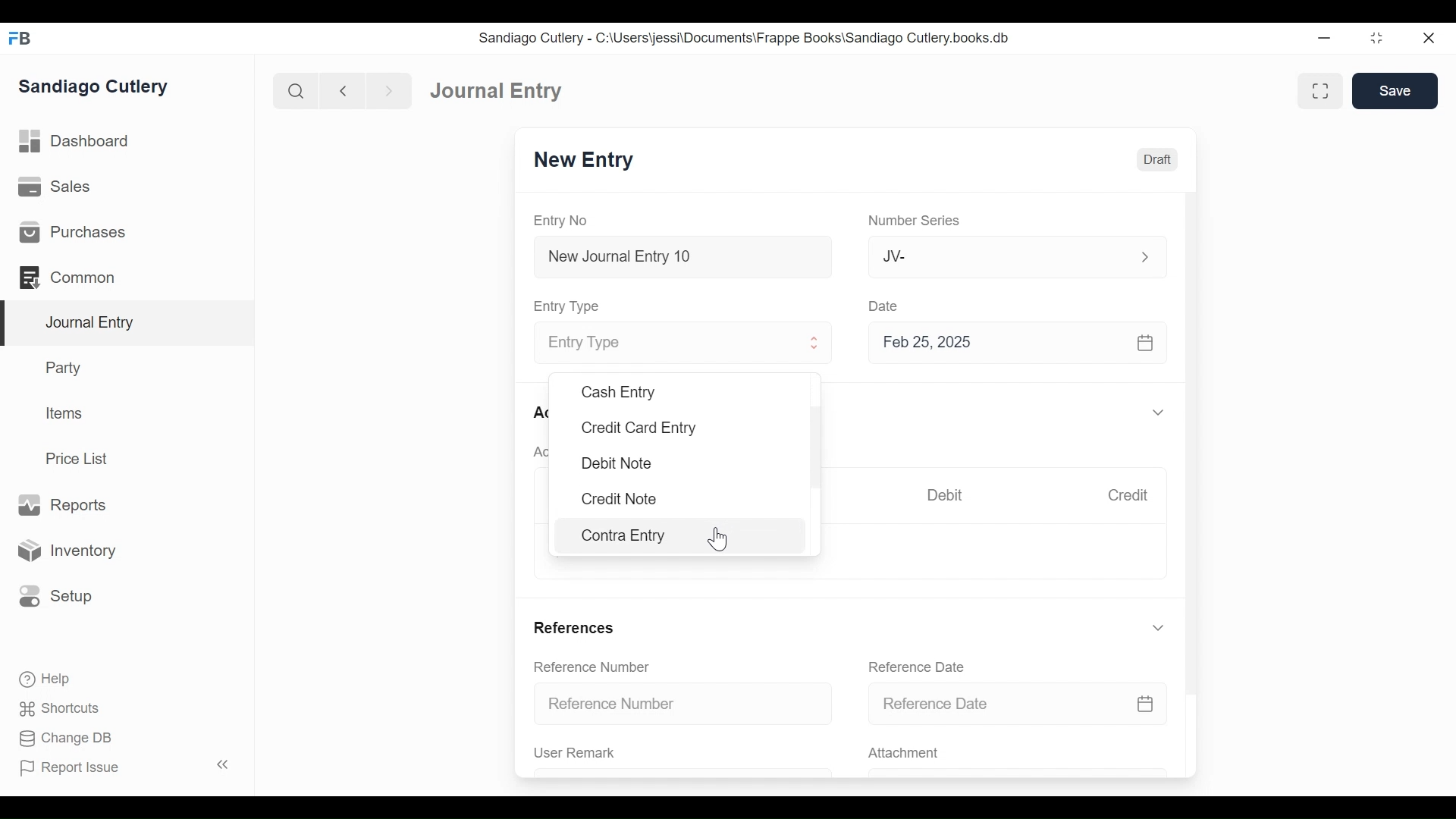 Image resolution: width=1456 pixels, height=819 pixels. I want to click on Entry Type, so click(665, 344).